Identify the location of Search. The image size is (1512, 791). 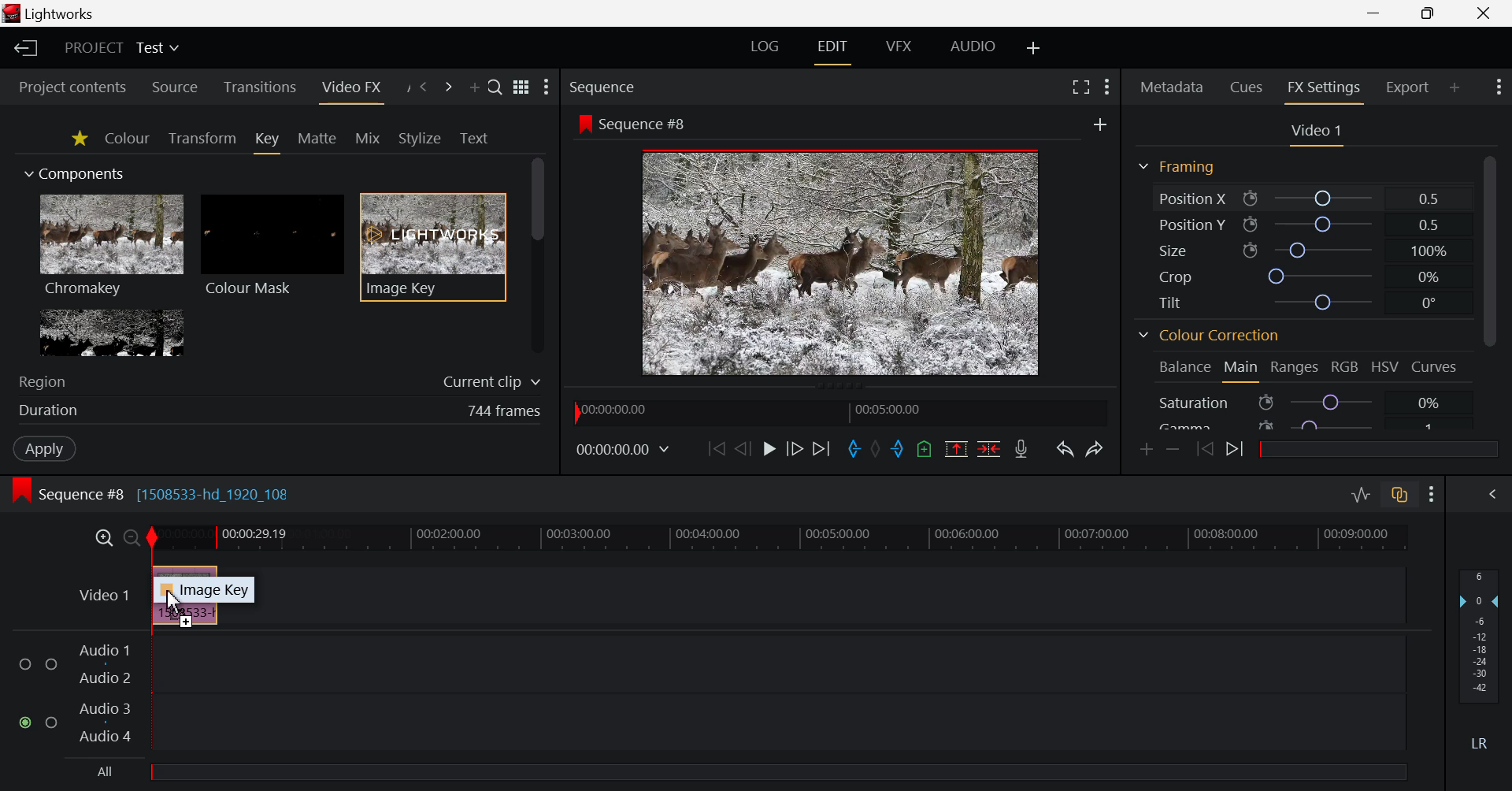
(495, 87).